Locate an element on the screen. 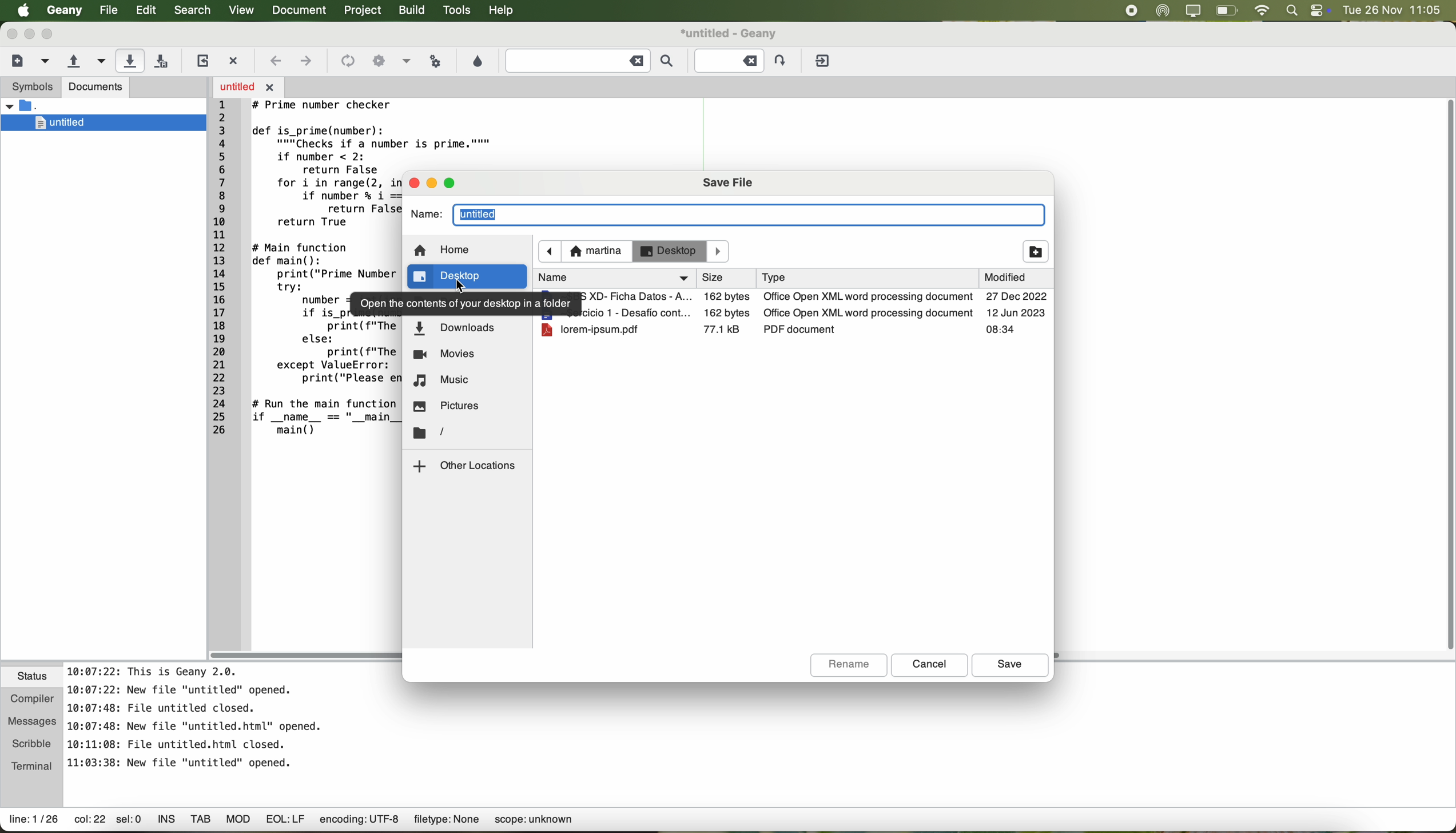 The image size is (1456, 833). name is located at coordinates (729, 216).